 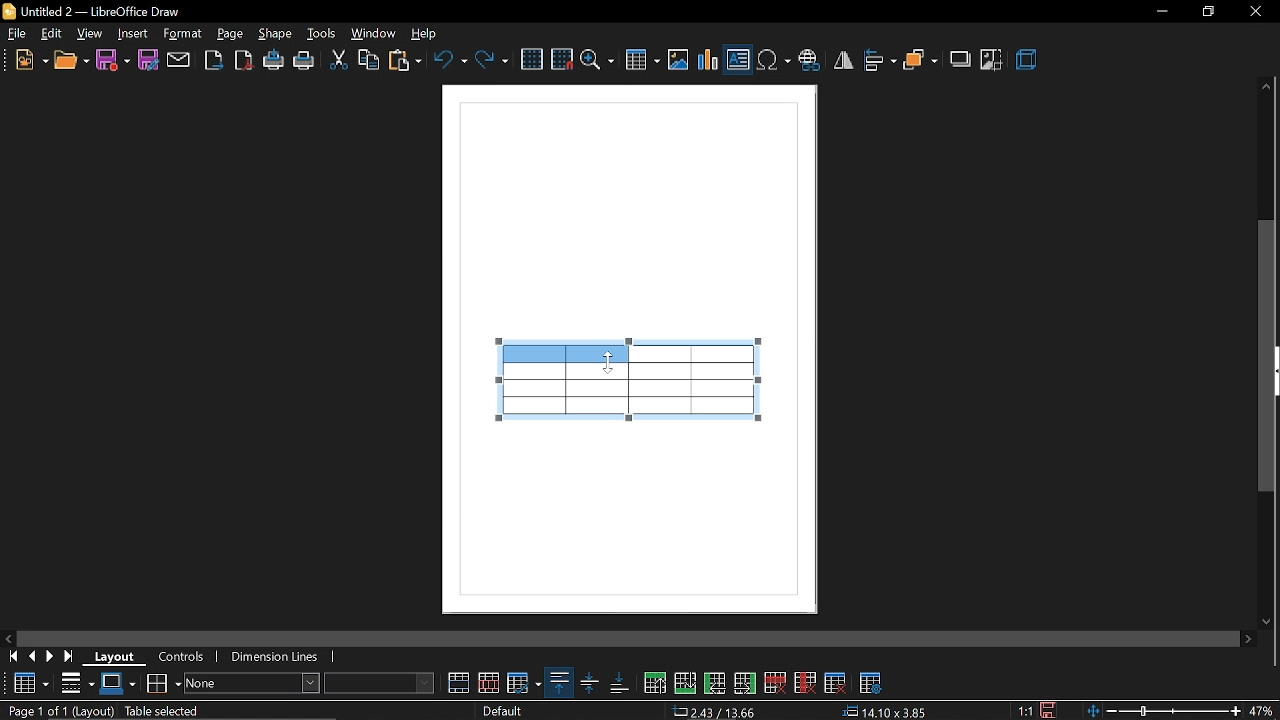 What do you see at coordinates (274, 61) in the screenshot?
I see `print directly` at bounding box center [274, 61].